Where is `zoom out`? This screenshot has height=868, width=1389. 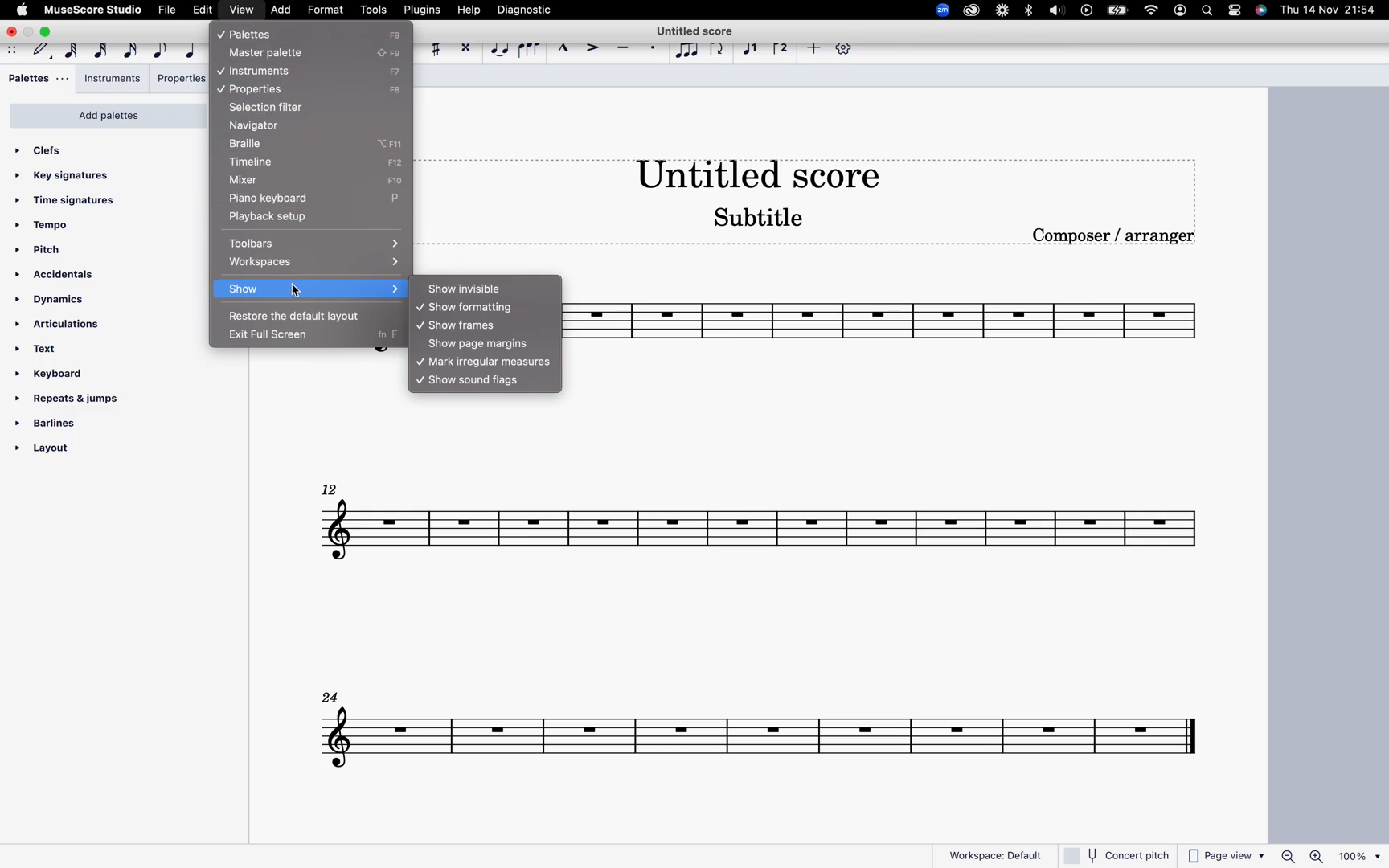 zoom out is located at coordinates (1284, 853).